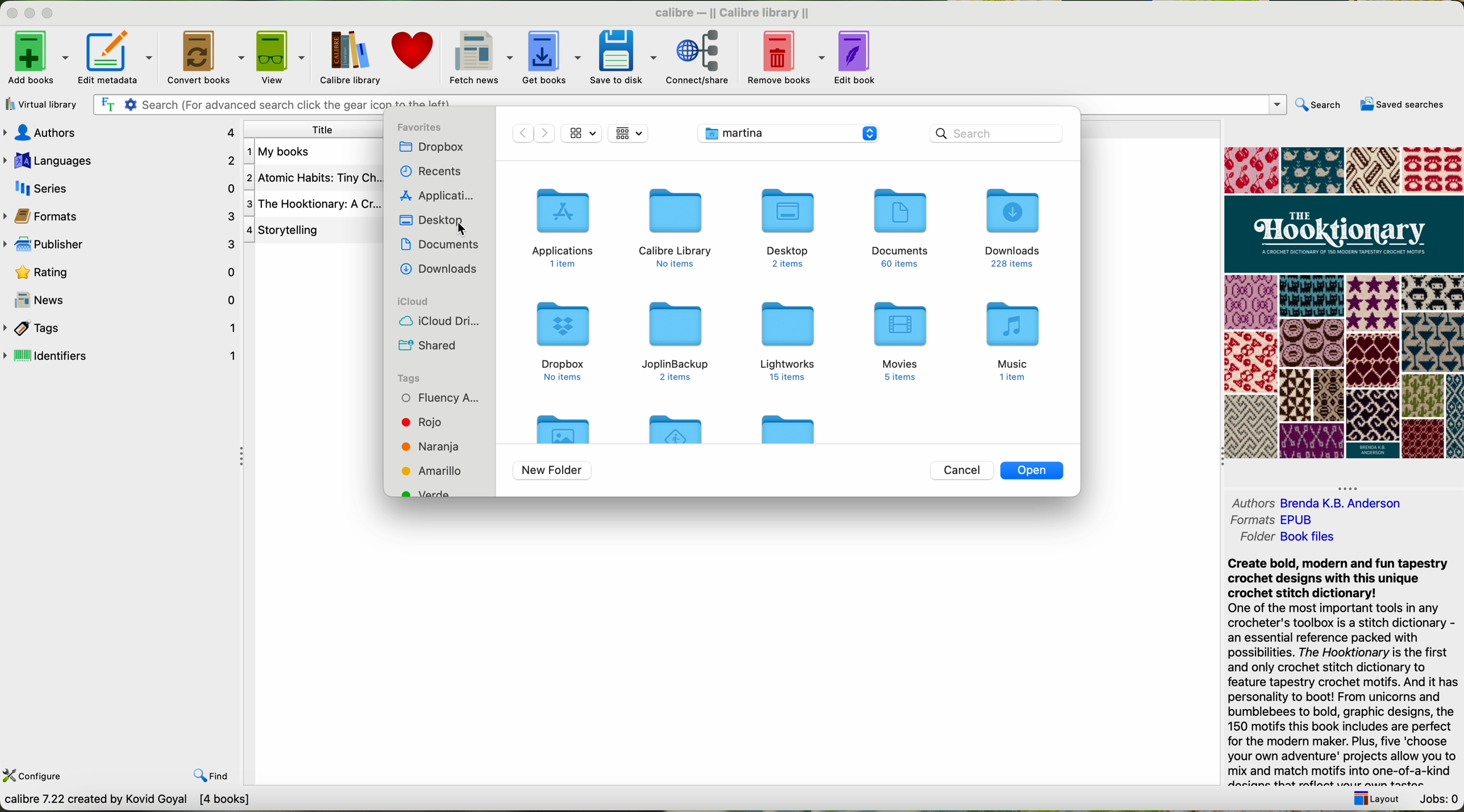 The width and height of the screenshot is (1464, 812). What do you see at coordinates (1401, 106) in the screenshot?
I see `saved searches` at bounding box center [1401, 106].